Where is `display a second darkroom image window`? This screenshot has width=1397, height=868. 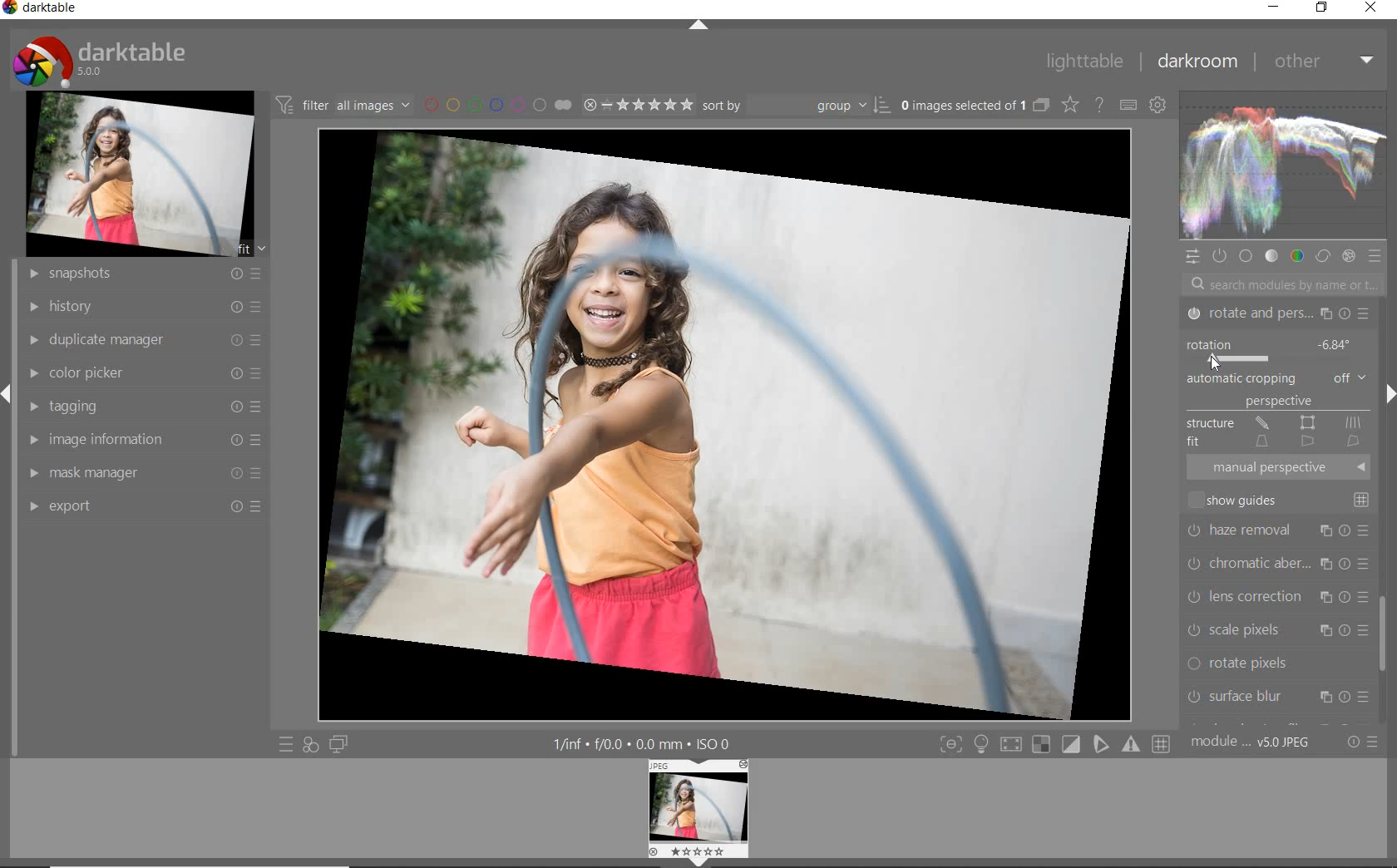 display a second darkroom image window is located at coordinates (338, 745).